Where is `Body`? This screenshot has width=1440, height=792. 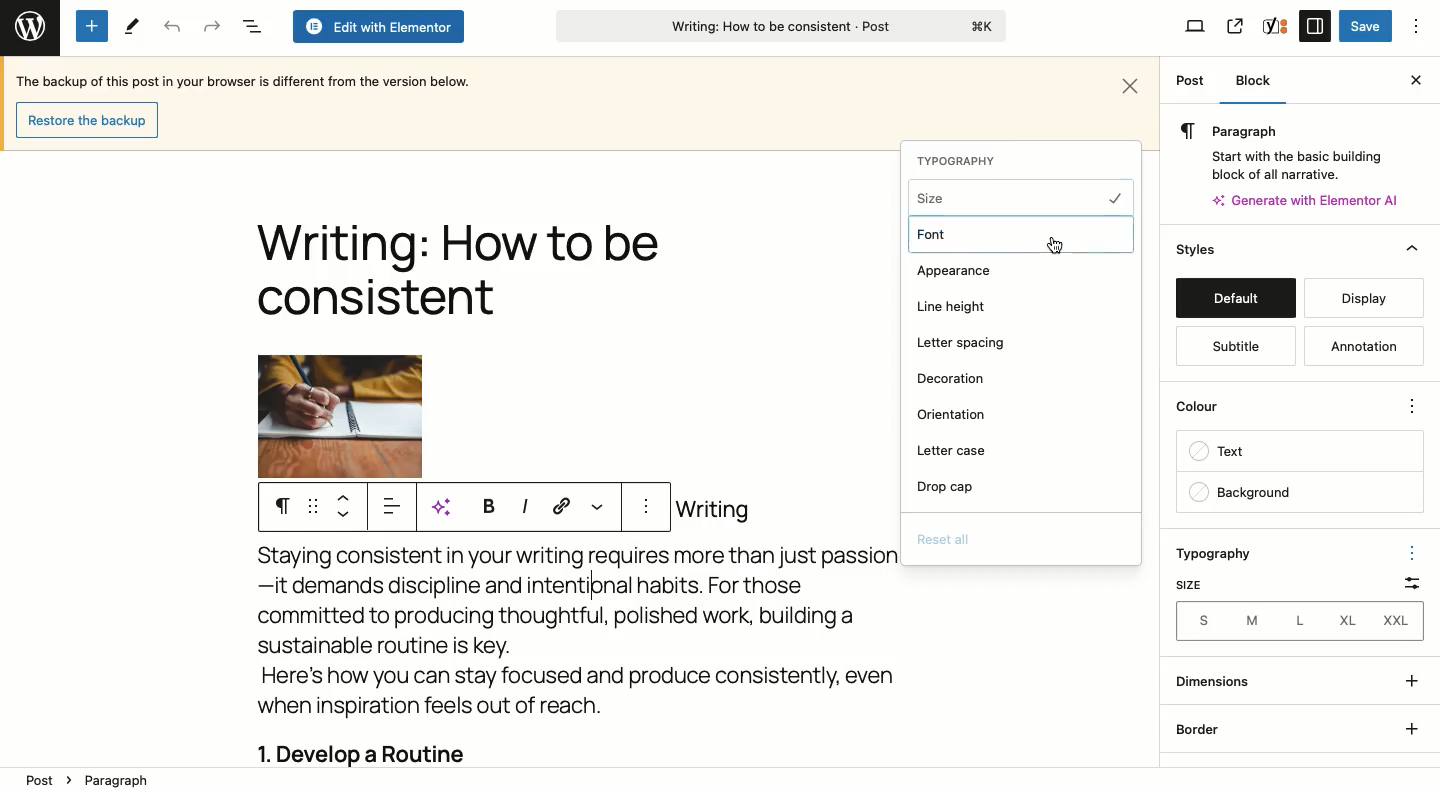 Body is located at coordinates (598, 629).